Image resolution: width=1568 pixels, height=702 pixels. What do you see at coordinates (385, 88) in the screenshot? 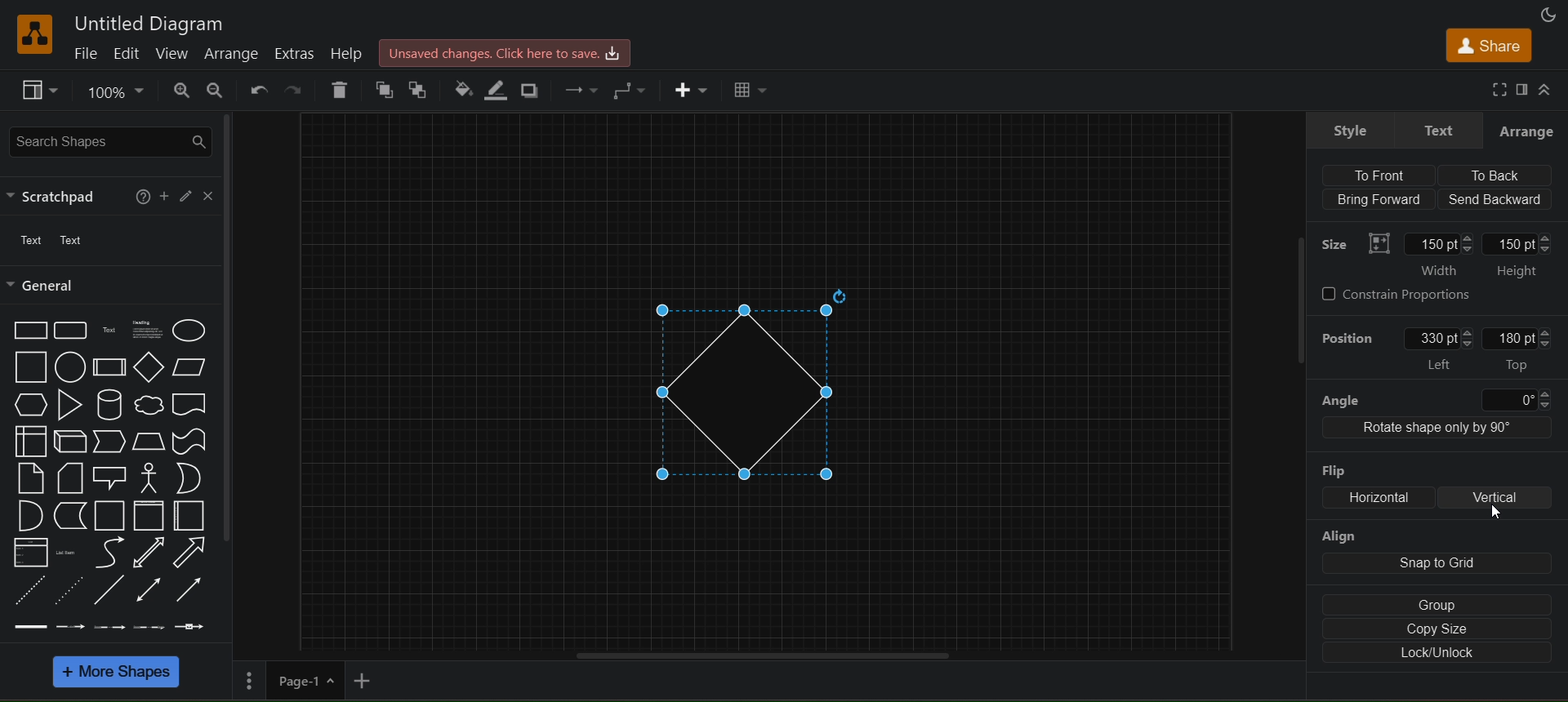
I see `to front` at bounding box center [385, 88].